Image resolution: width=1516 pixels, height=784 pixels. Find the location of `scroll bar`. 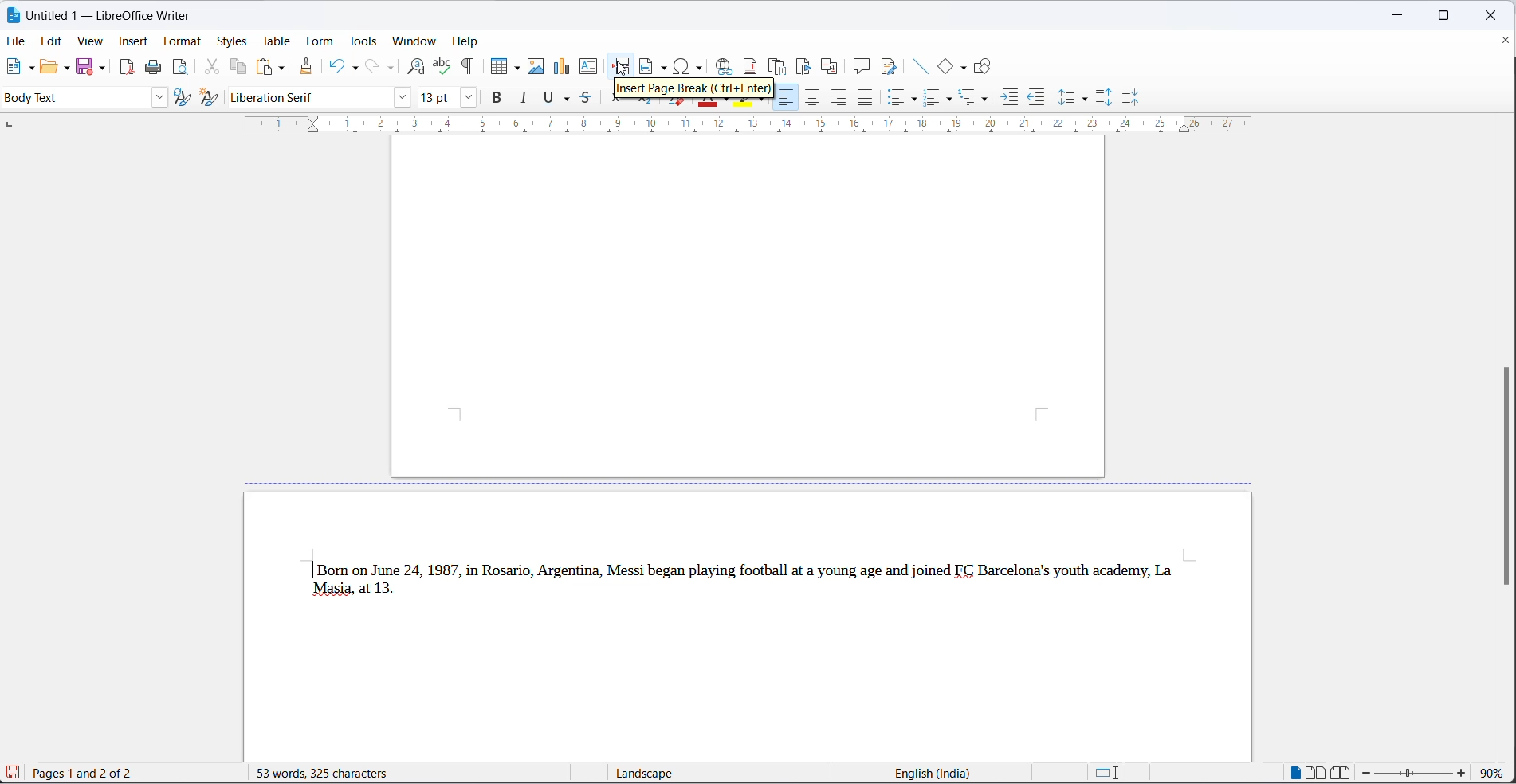

scroll bar is located at coordinates (1503, 474).